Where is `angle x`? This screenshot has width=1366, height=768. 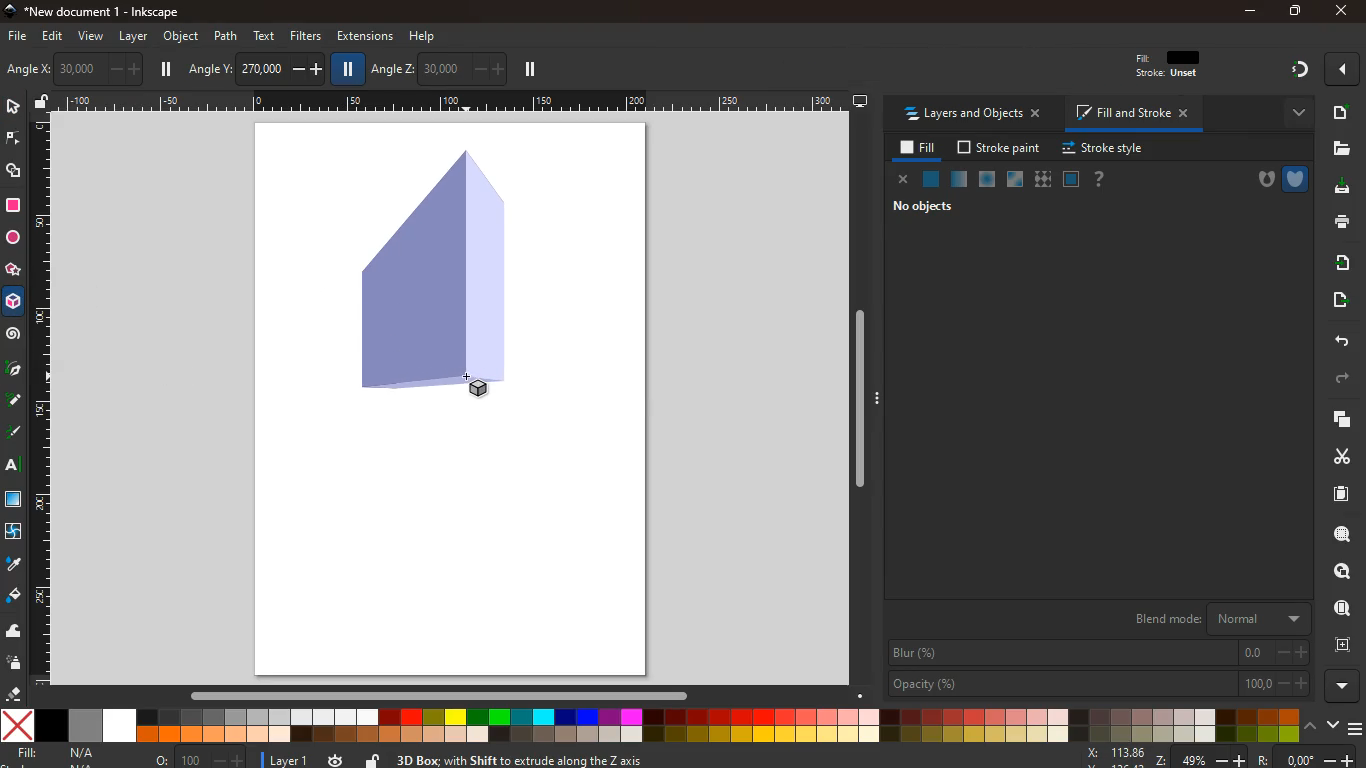
angle x is located at coordinates (89, 67).